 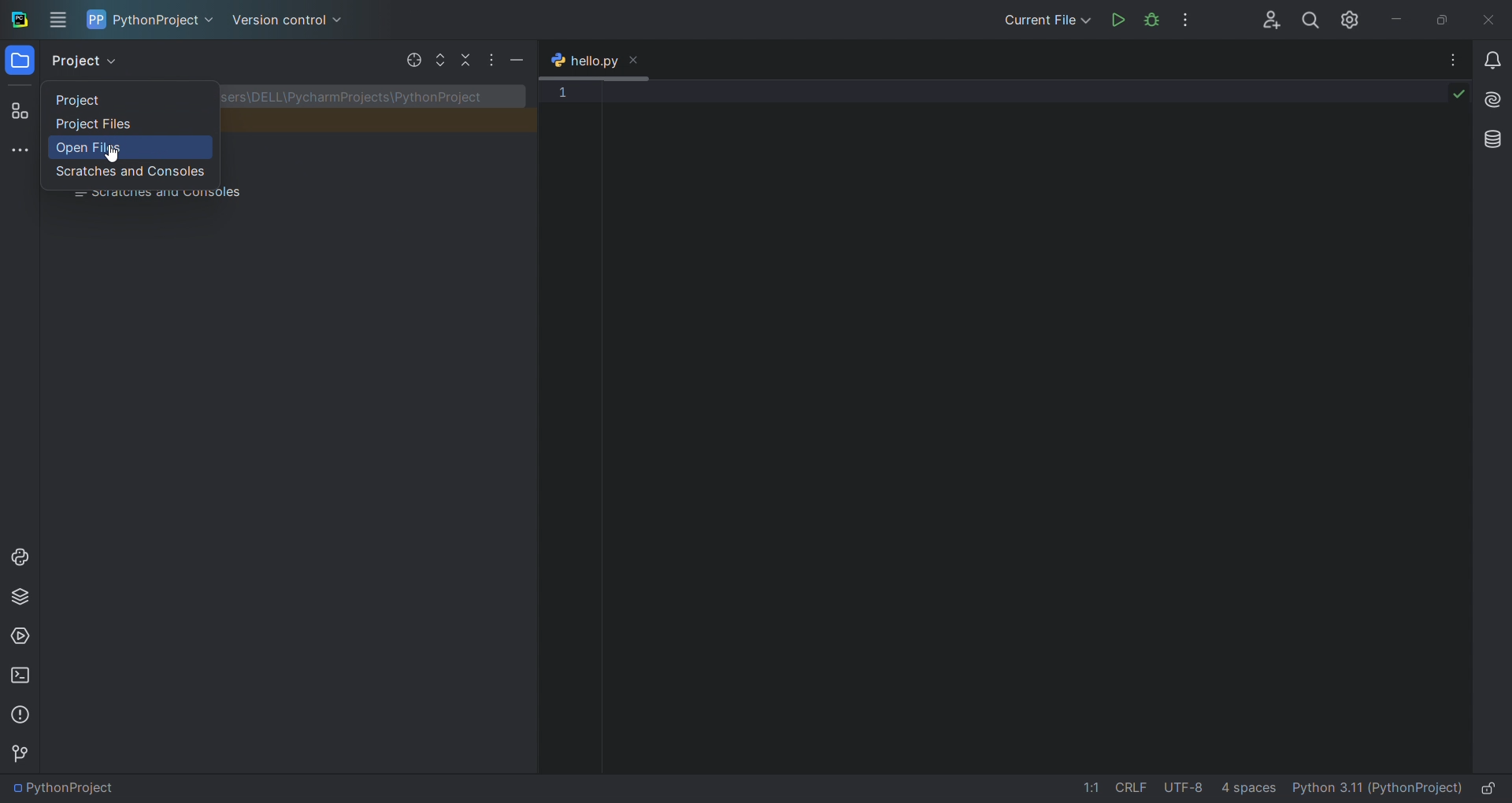 I want to click on options, so click(x=1191, y=20).